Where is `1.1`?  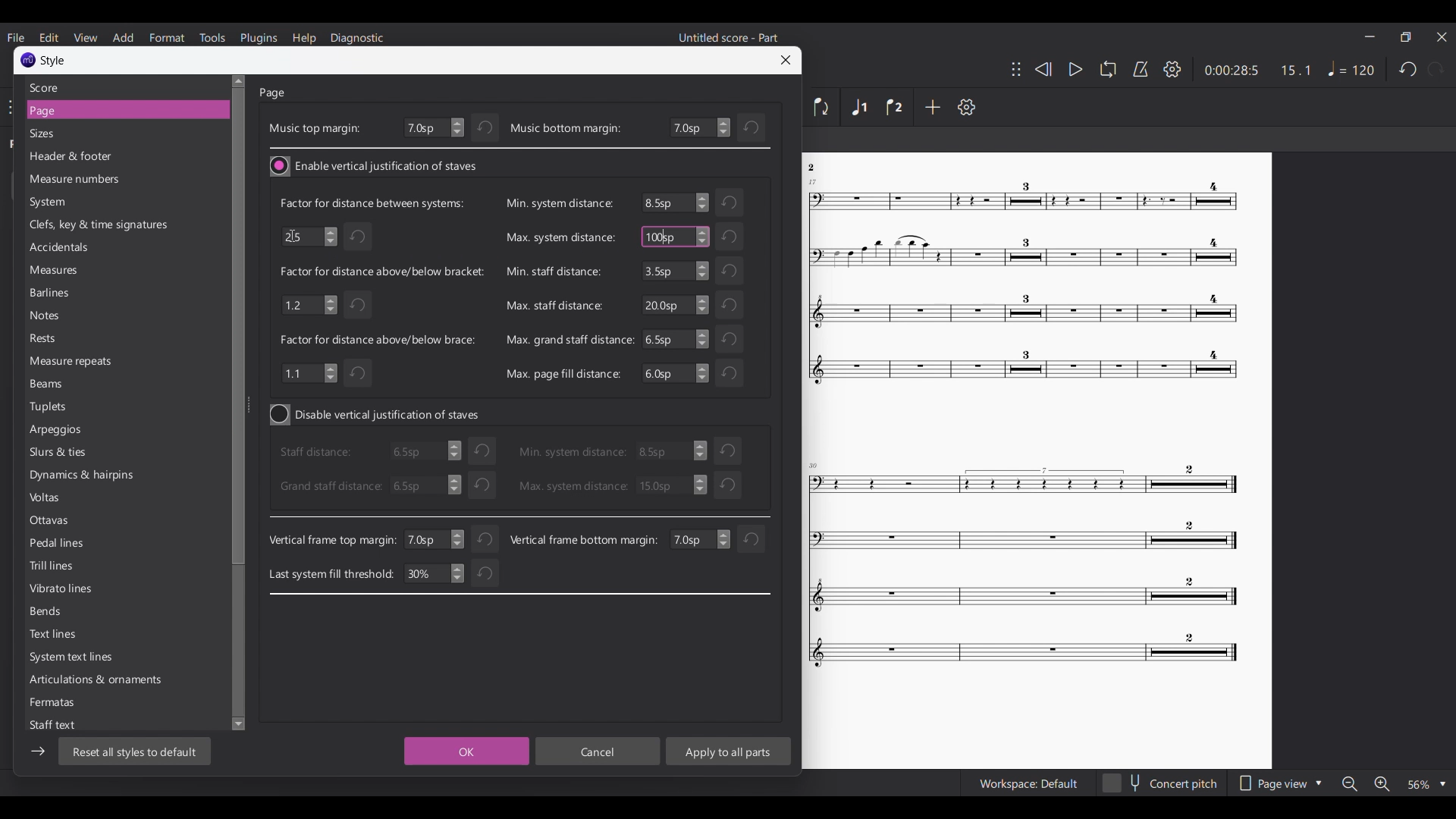
1.1 is located at coordinates (309, 372).